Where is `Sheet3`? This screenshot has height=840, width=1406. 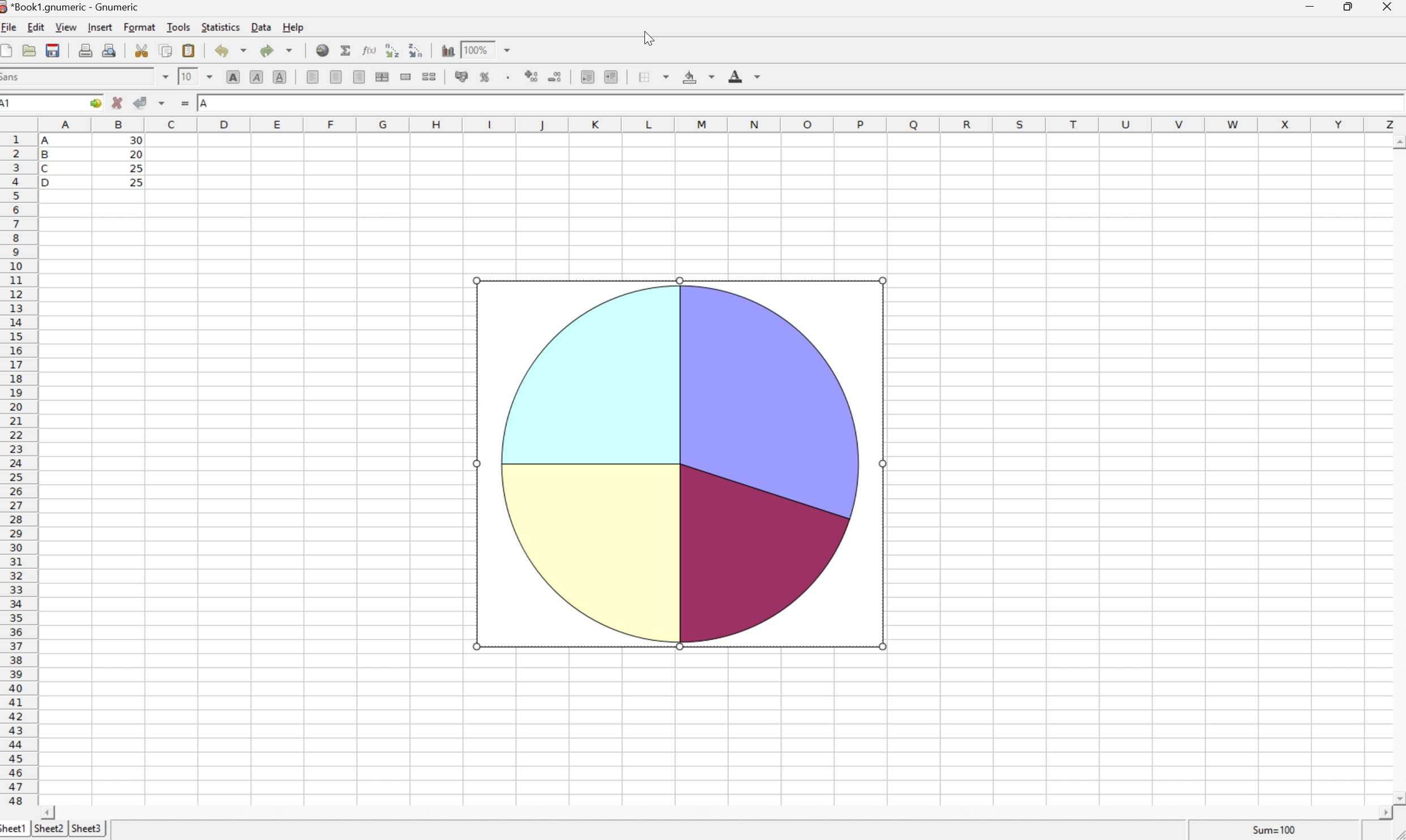 Sheet3 is located at coordinates (88, 827).